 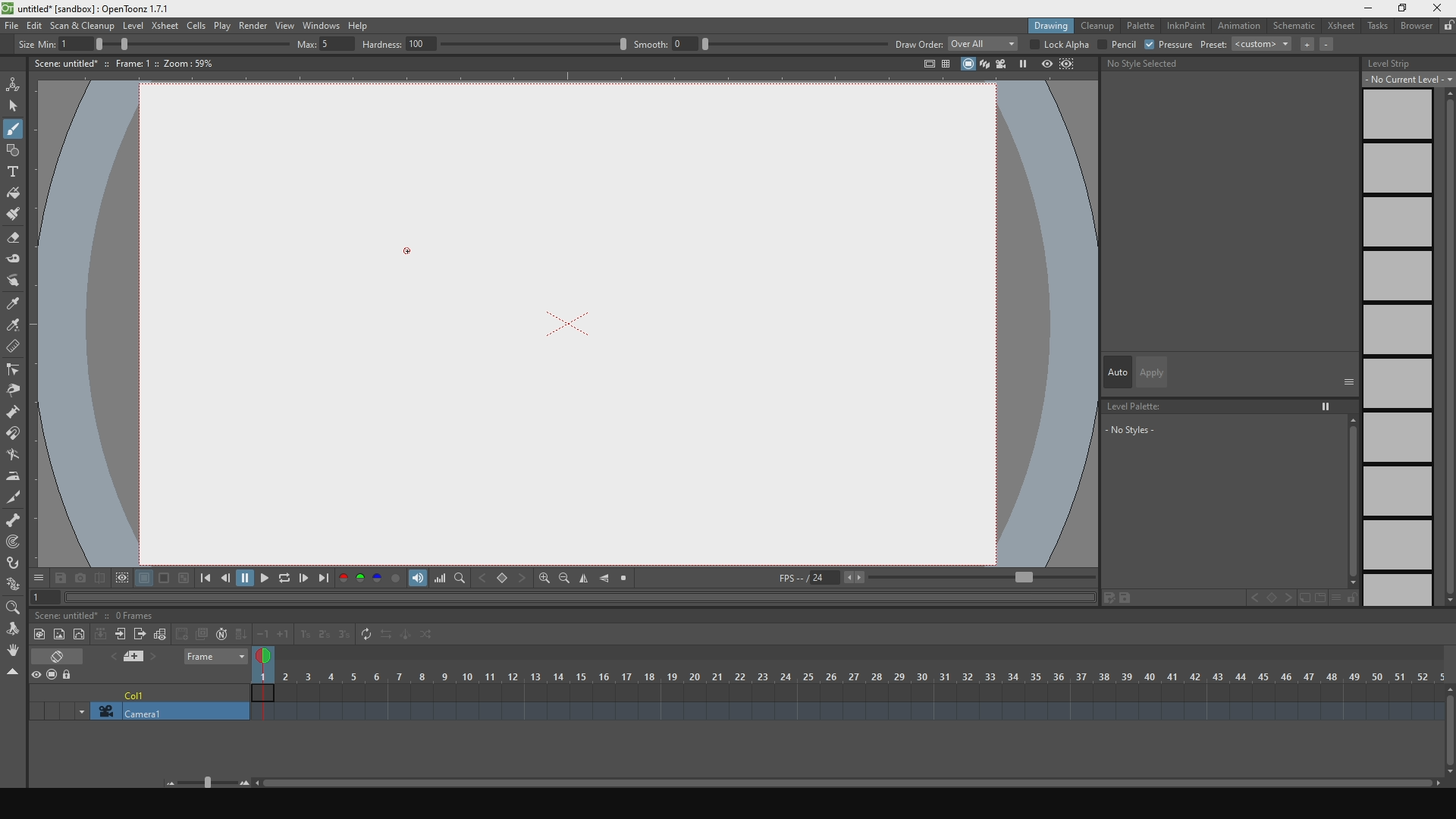 What do you see at coordinates (606, 579) in the screenshot?
I see `align horizontally` at bounding box center [606, 579].